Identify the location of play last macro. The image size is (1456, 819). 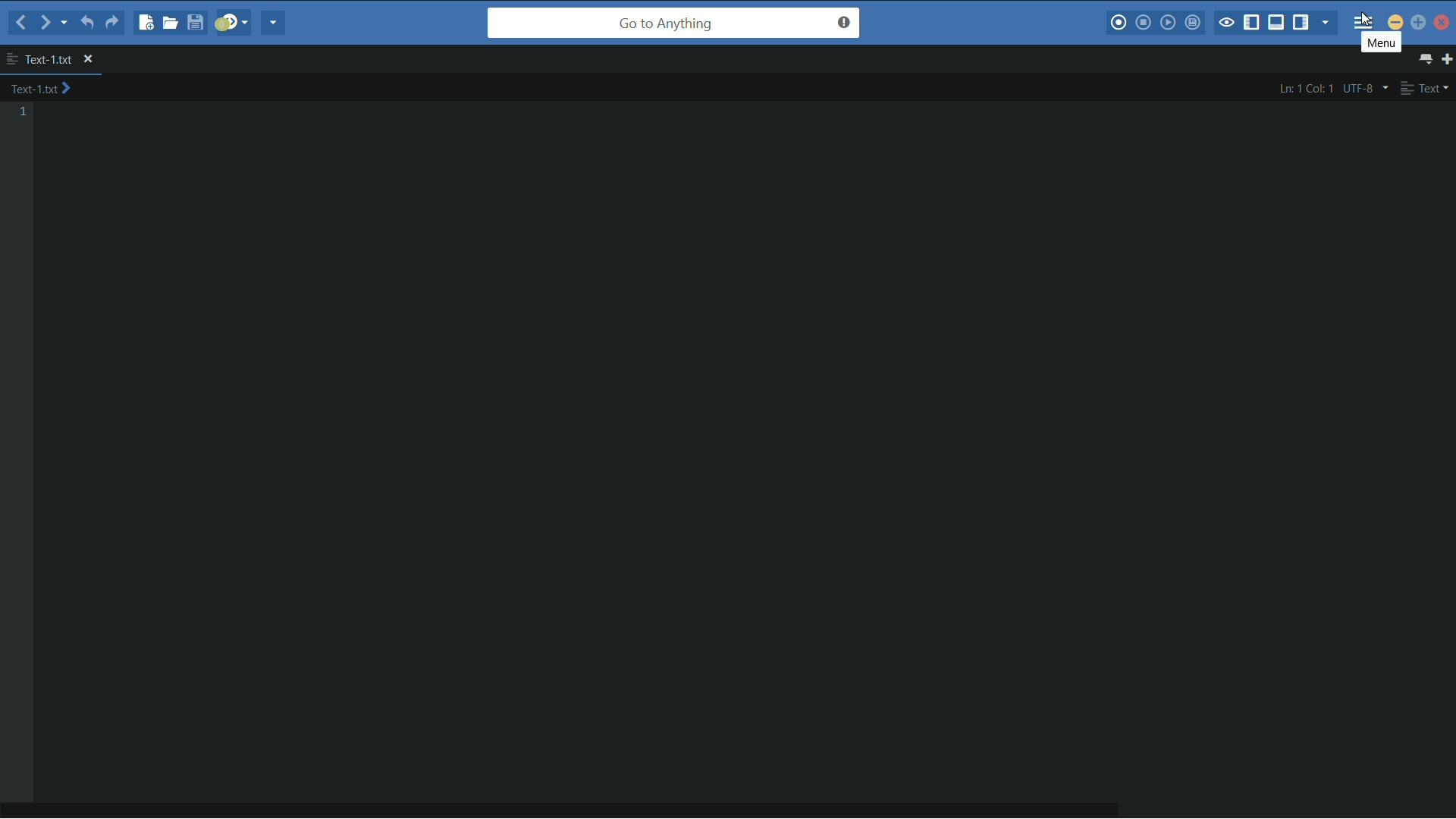
(1167, 23).